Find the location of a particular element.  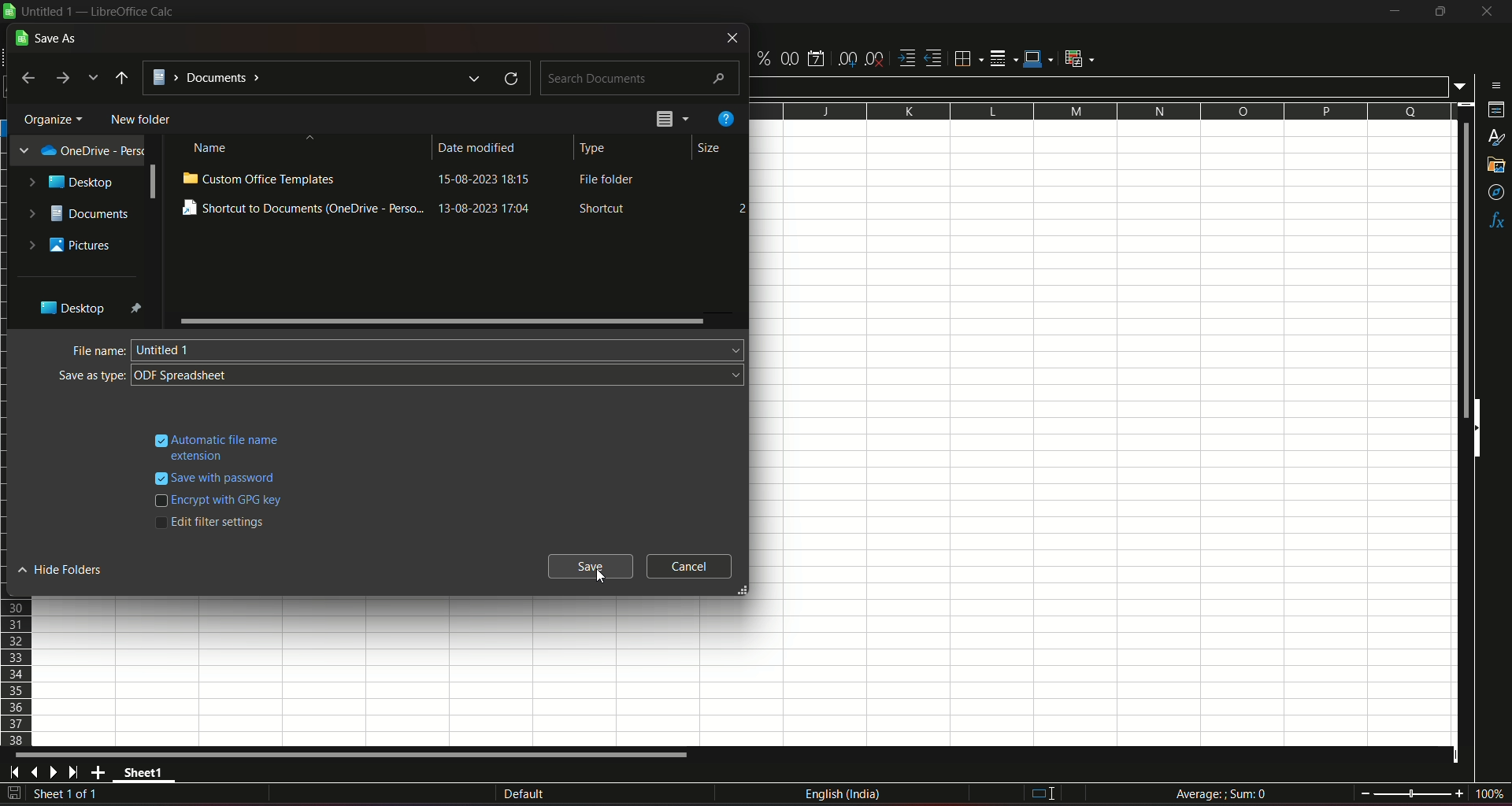

save with password is located at coordinates (228, 479).